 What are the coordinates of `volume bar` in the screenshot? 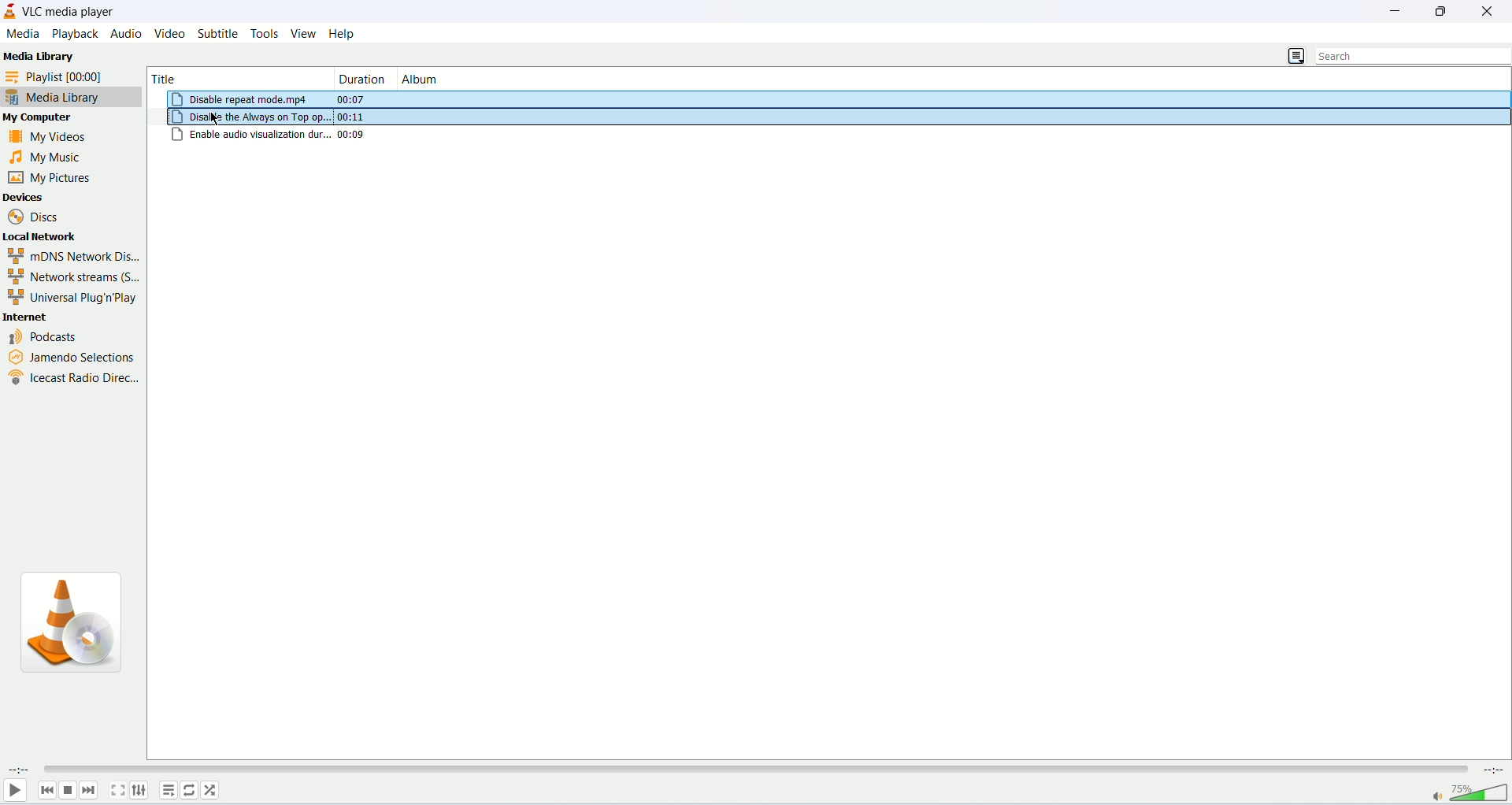 It's located at (1480, 792).